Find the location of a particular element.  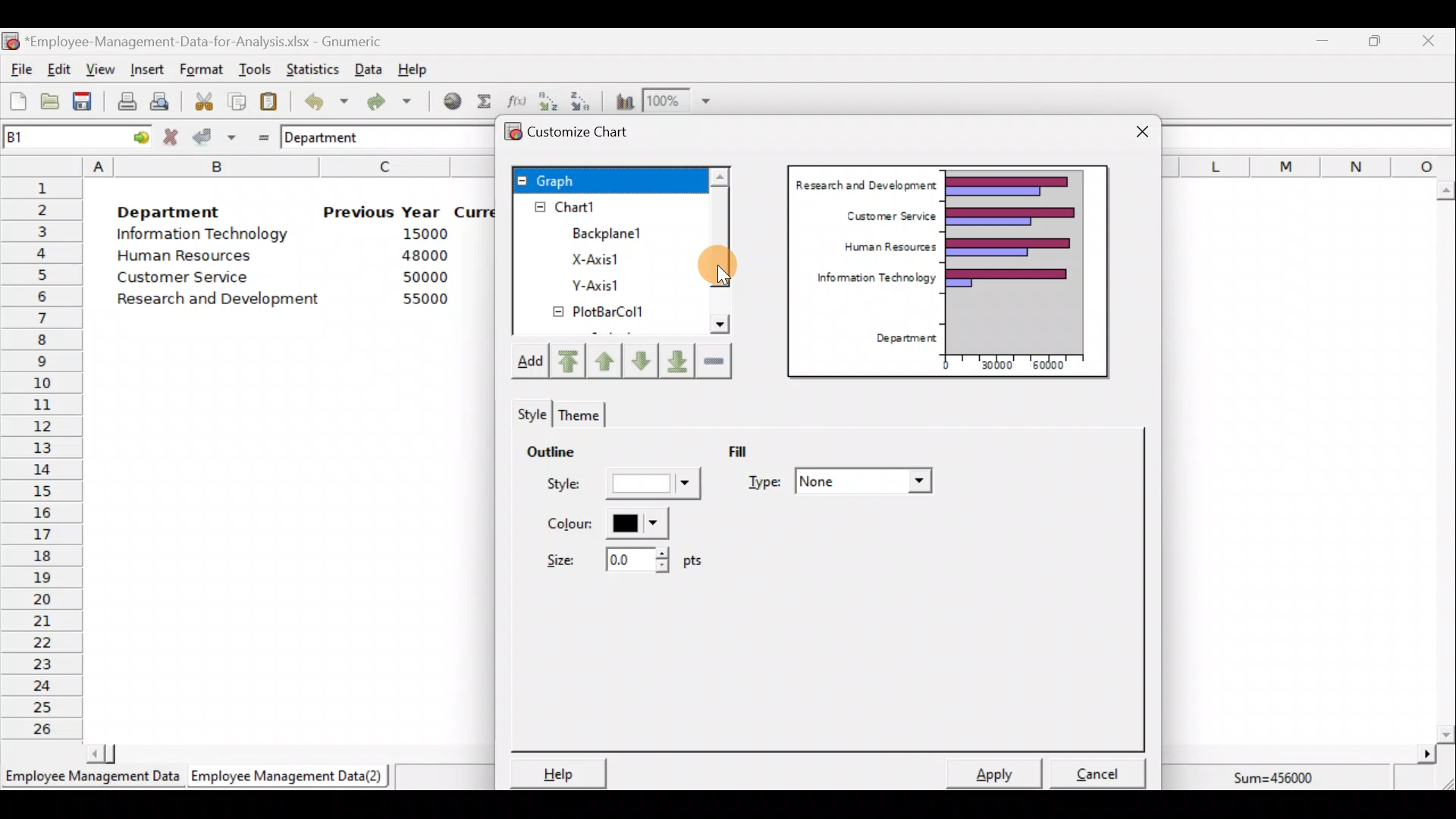

File is located at coordinates (19, 70).